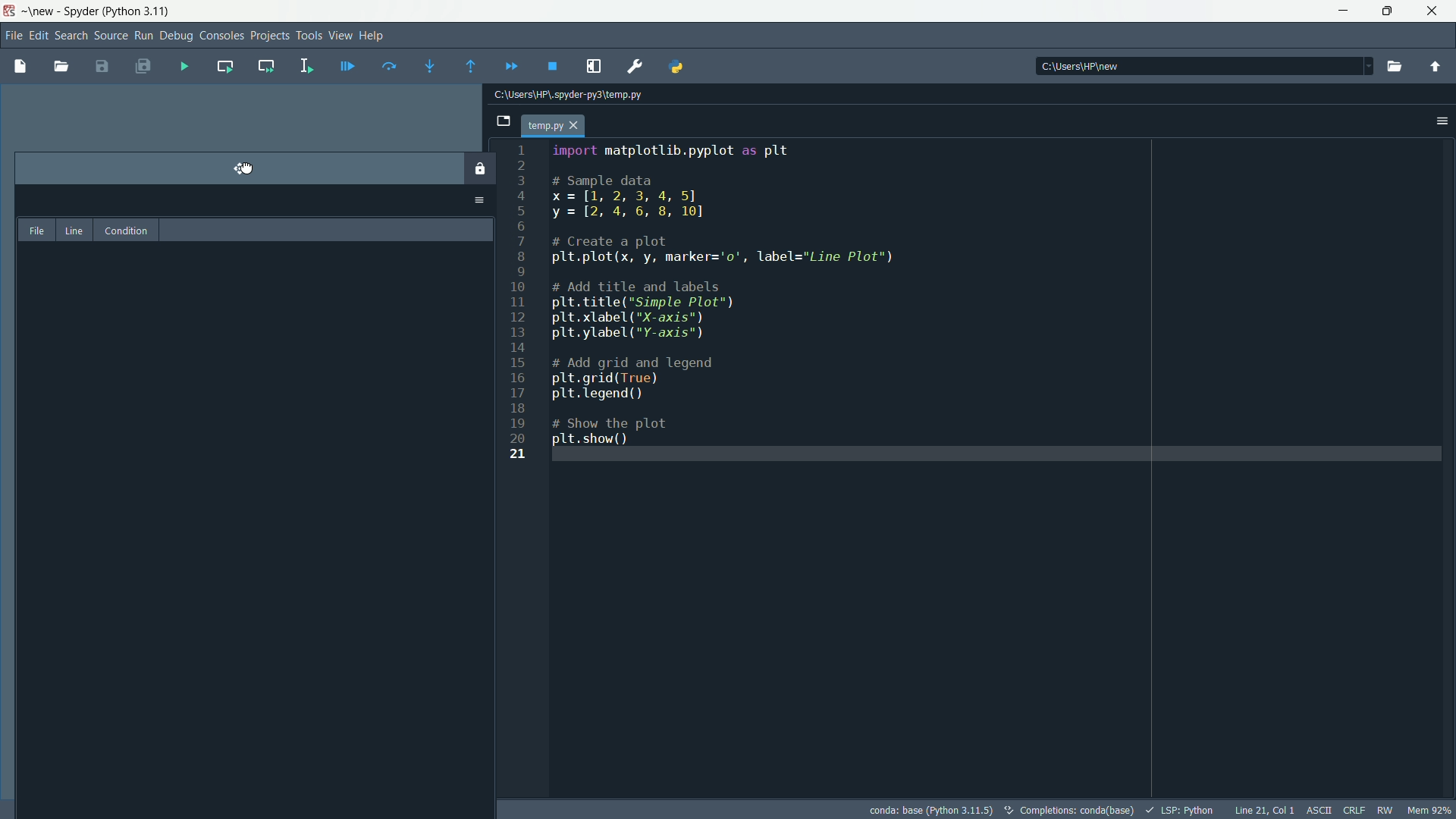  What do you see at coordinates (348, 64) in the screenshot?
I see `debug file` at bounding box center [348, 64].